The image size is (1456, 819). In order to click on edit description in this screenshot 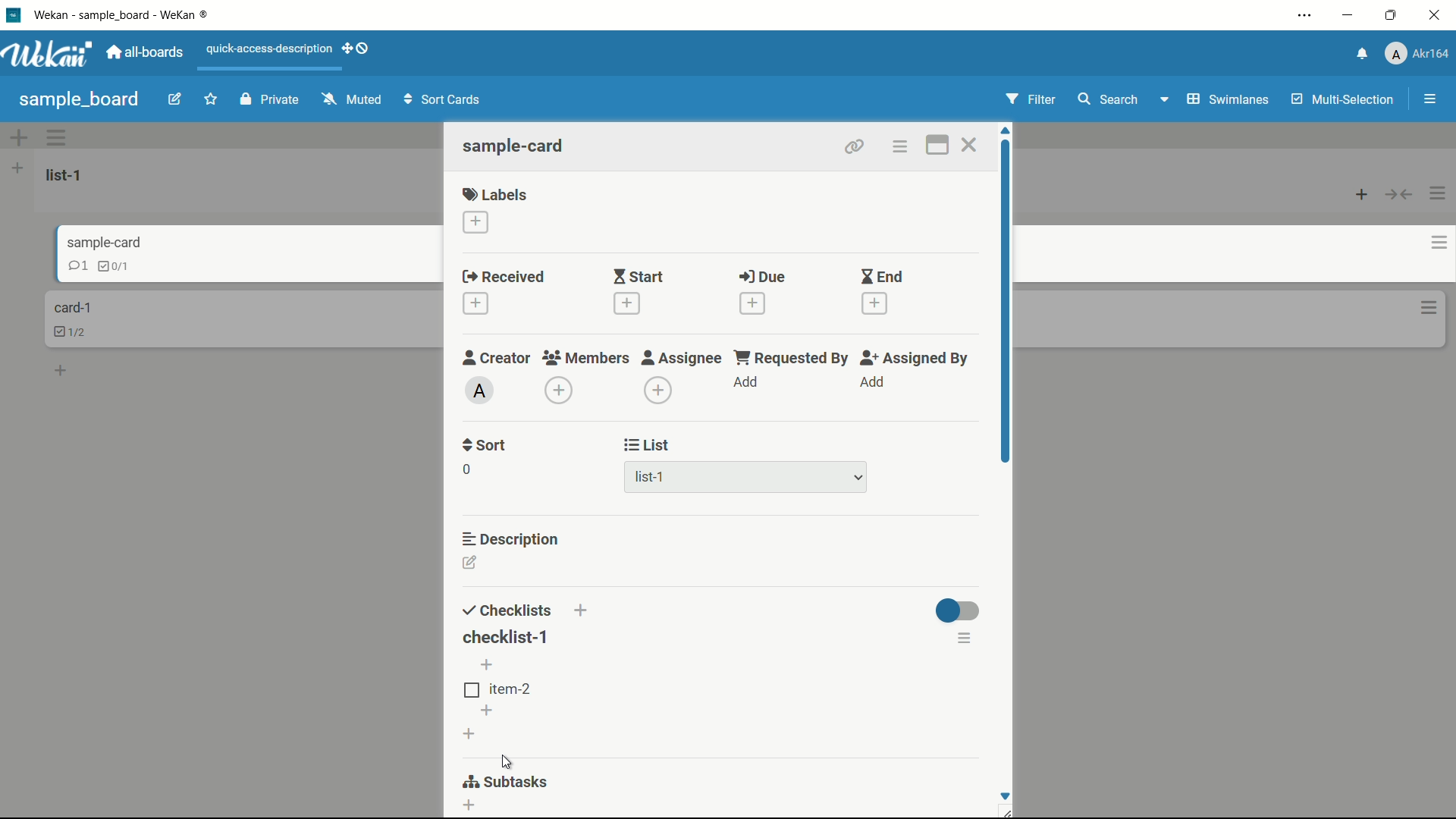, I will do `click(471, 562)`.